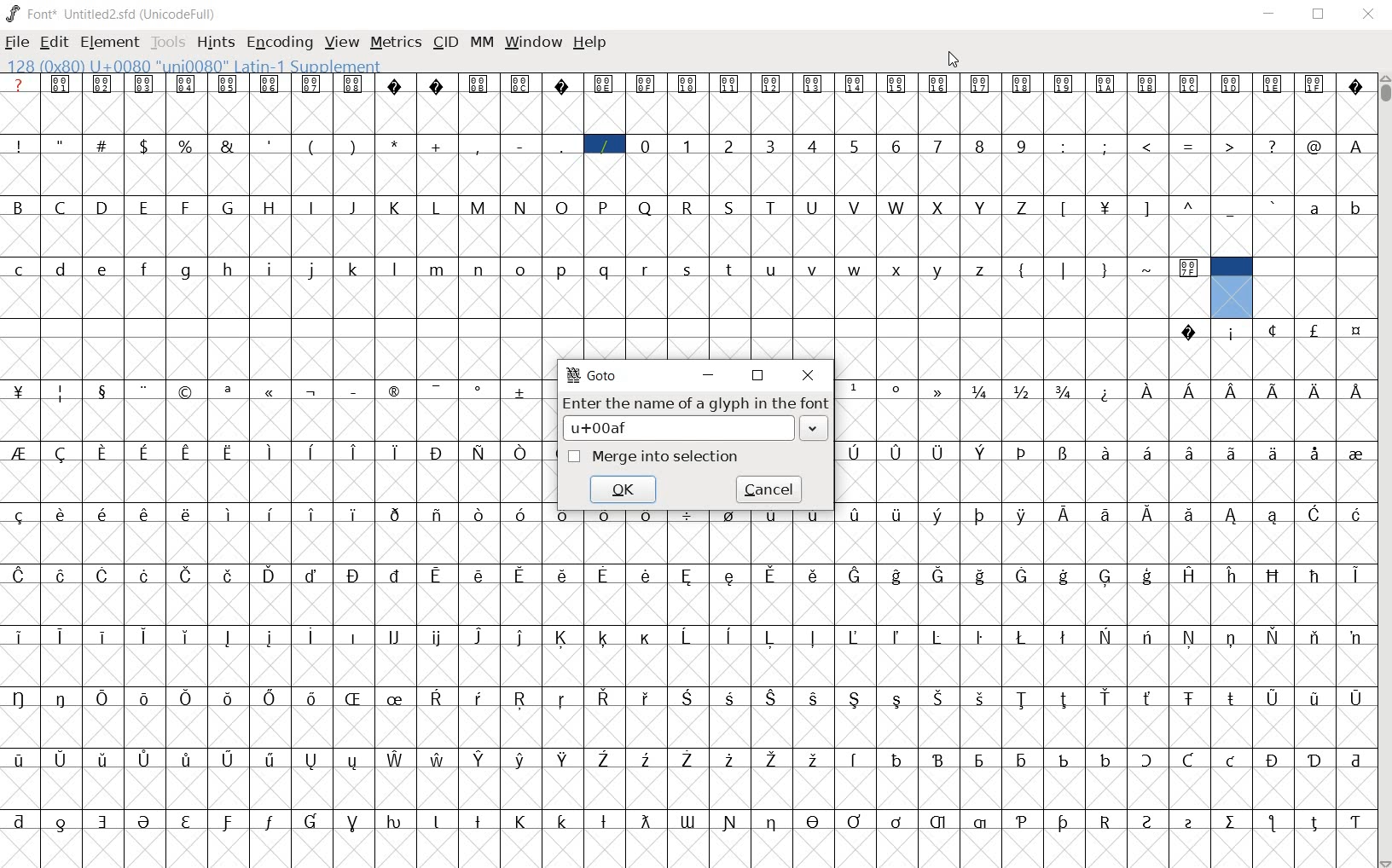 The height and width of the screenshot is (868, 1392). I want to click on 9, so click(1024, 145).